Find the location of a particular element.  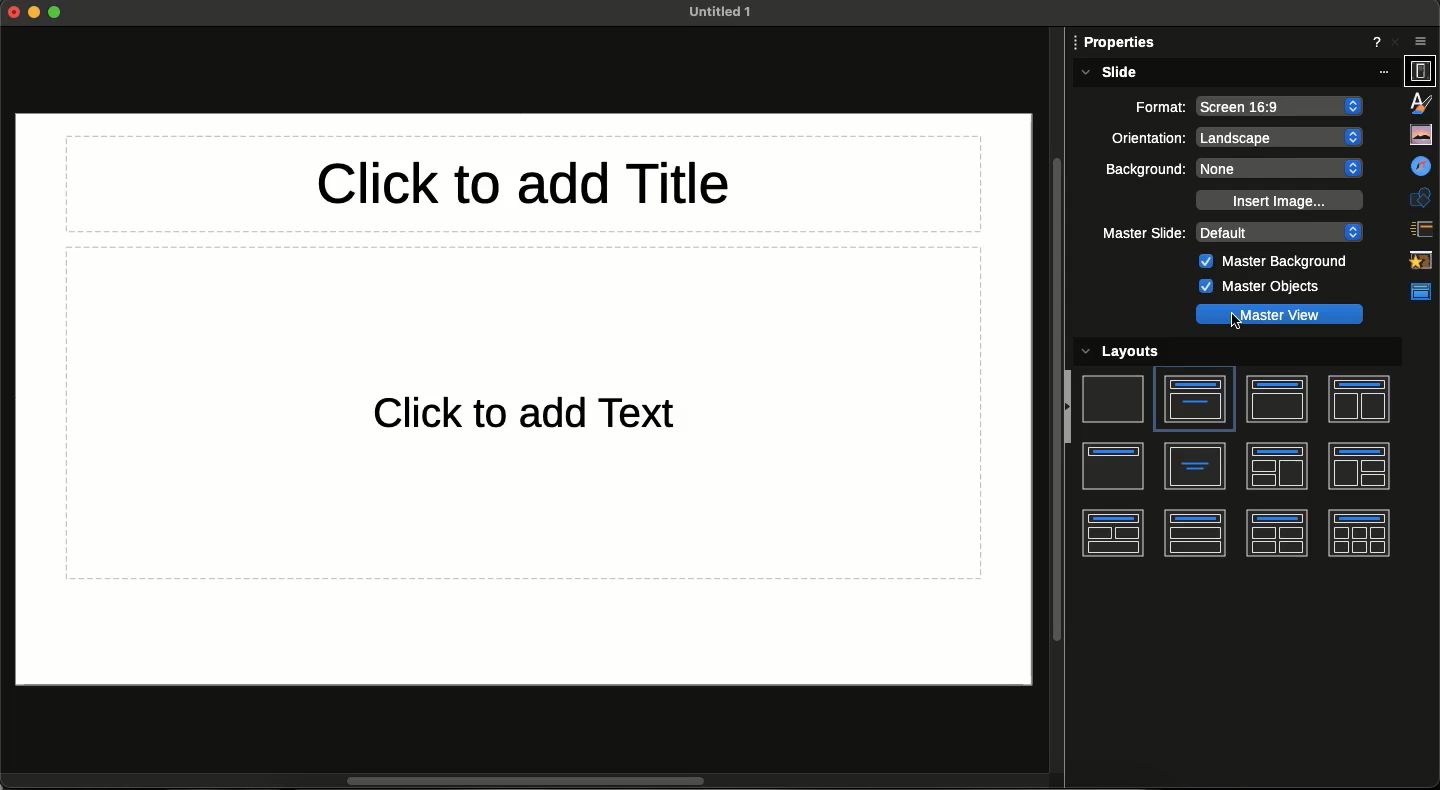

Title and text box is located at coordinates (1194, 399).